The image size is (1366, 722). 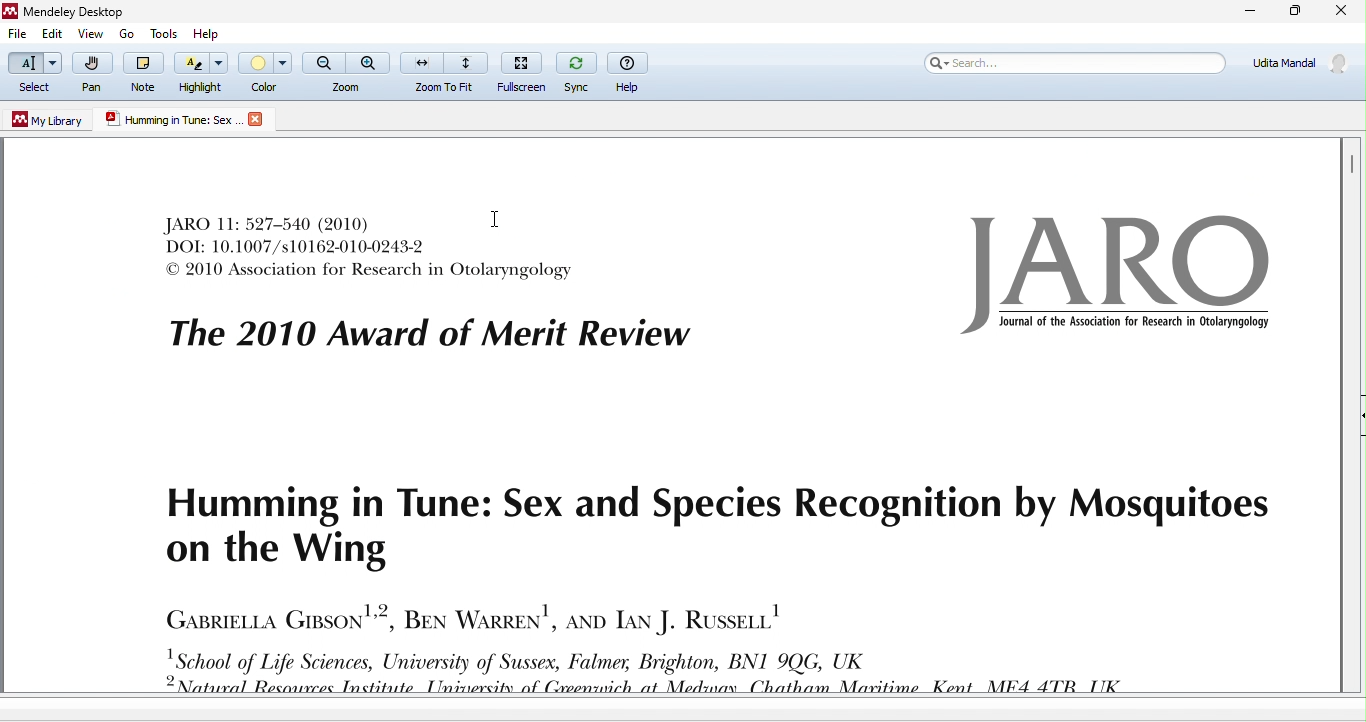 I want to click on color, so click(x=267, y=73).